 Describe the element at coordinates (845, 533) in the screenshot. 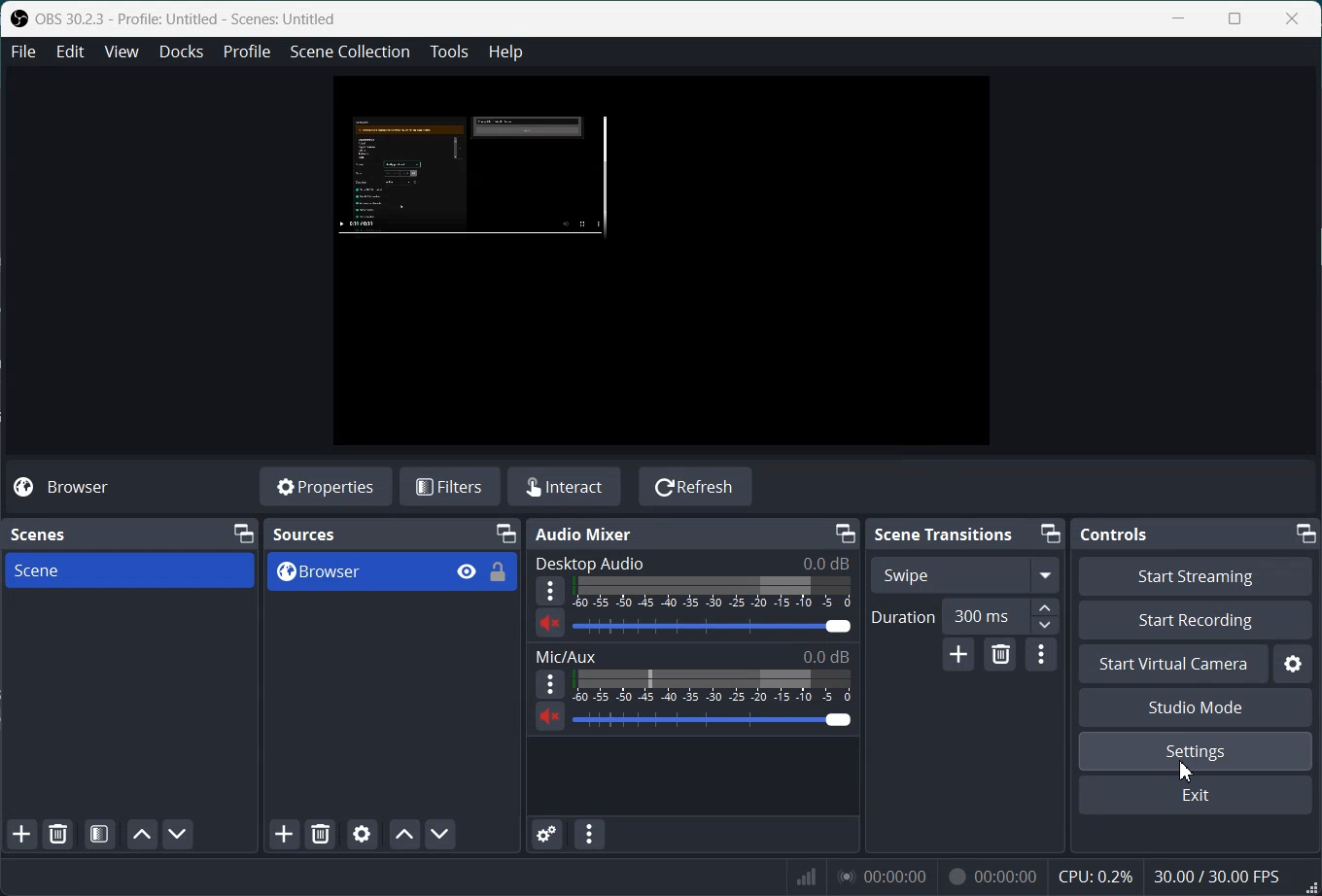

I see `Minimize` at that location.